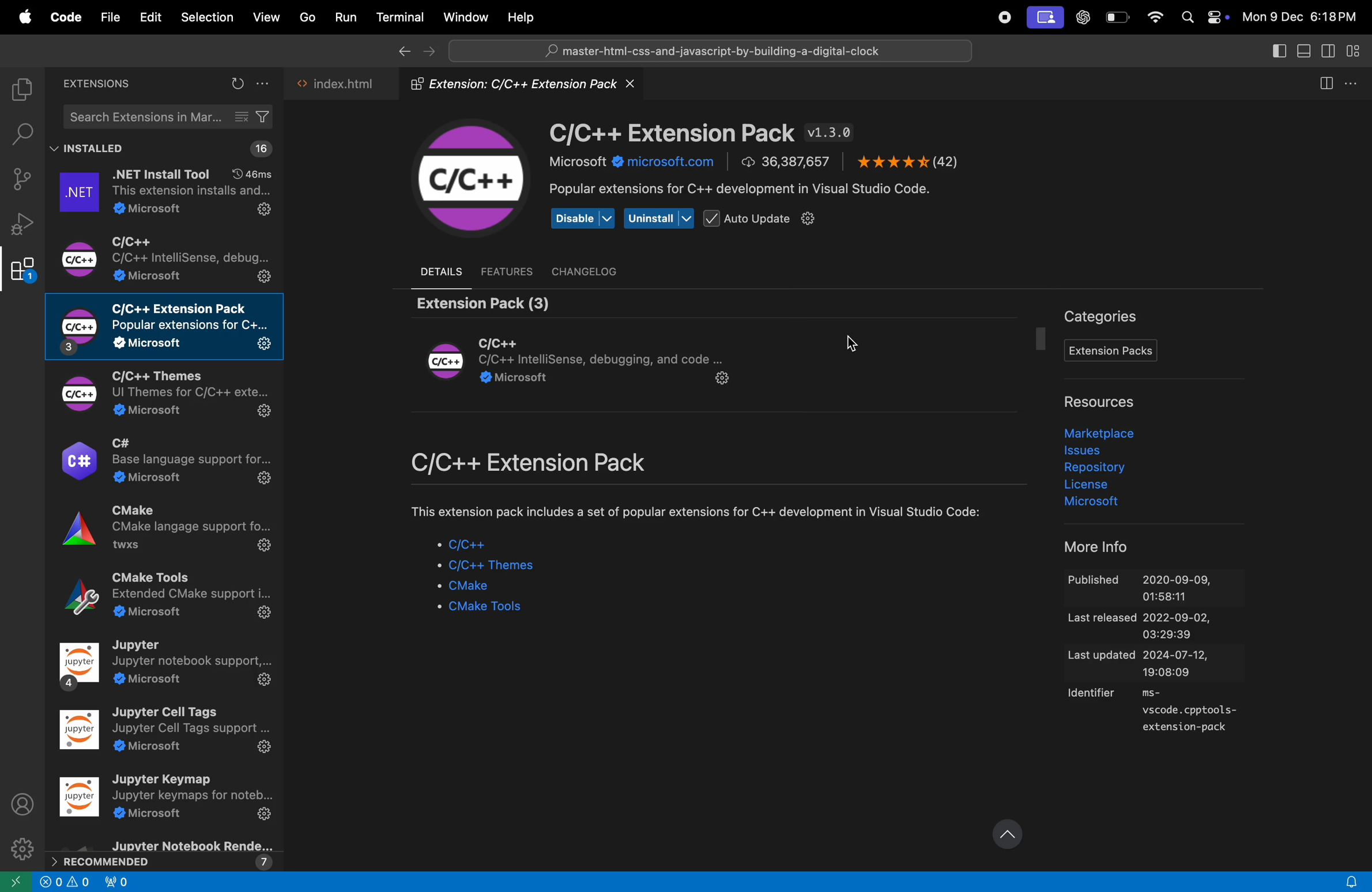 The image size is (1372, 892). What do you see at coordinates (93, 149) in the screenshot?
I see `installed` at bounding box center [93, 149].